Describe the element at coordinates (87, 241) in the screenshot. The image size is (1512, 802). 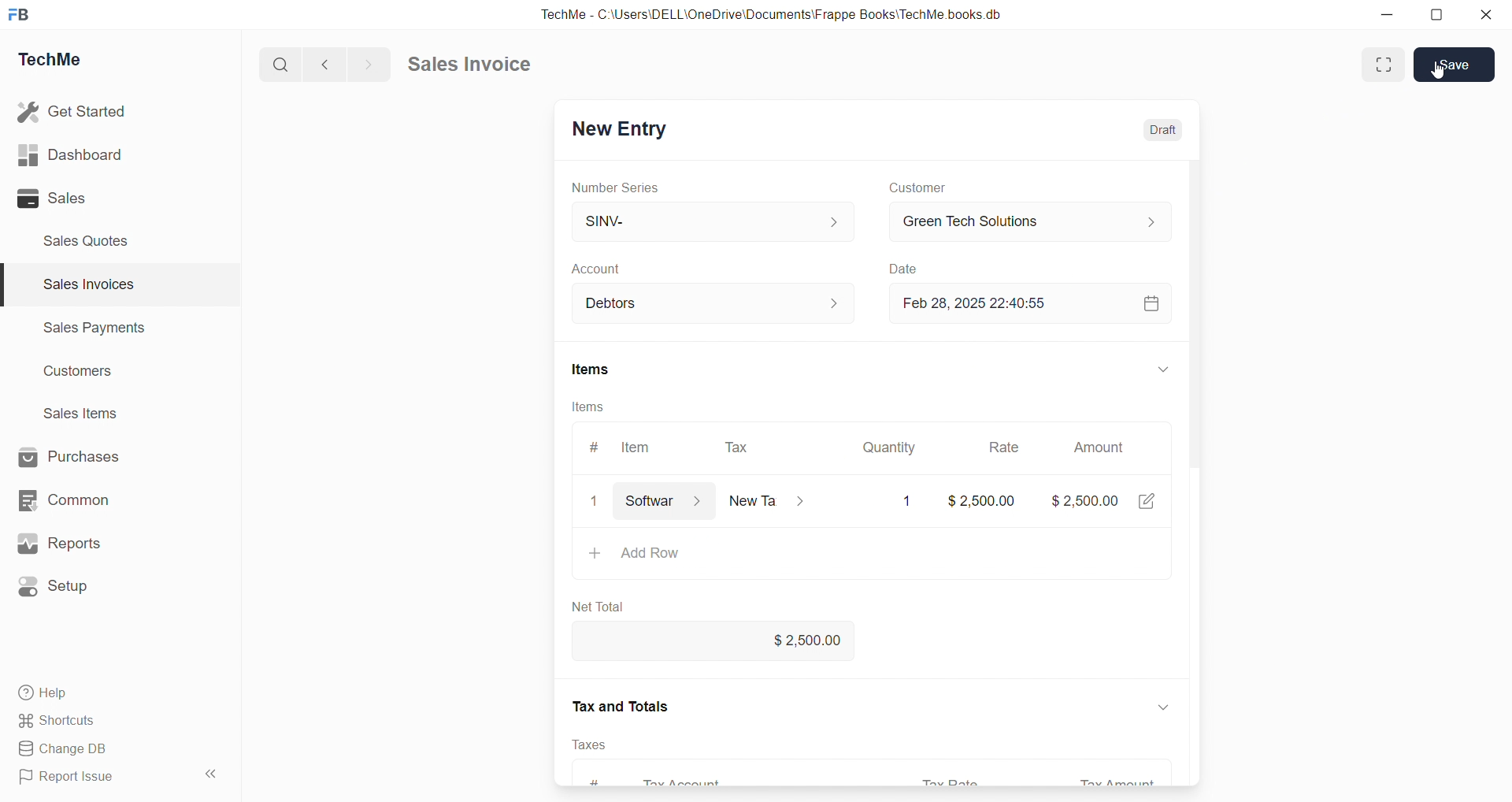
I see `Sales Quotes` at that location.